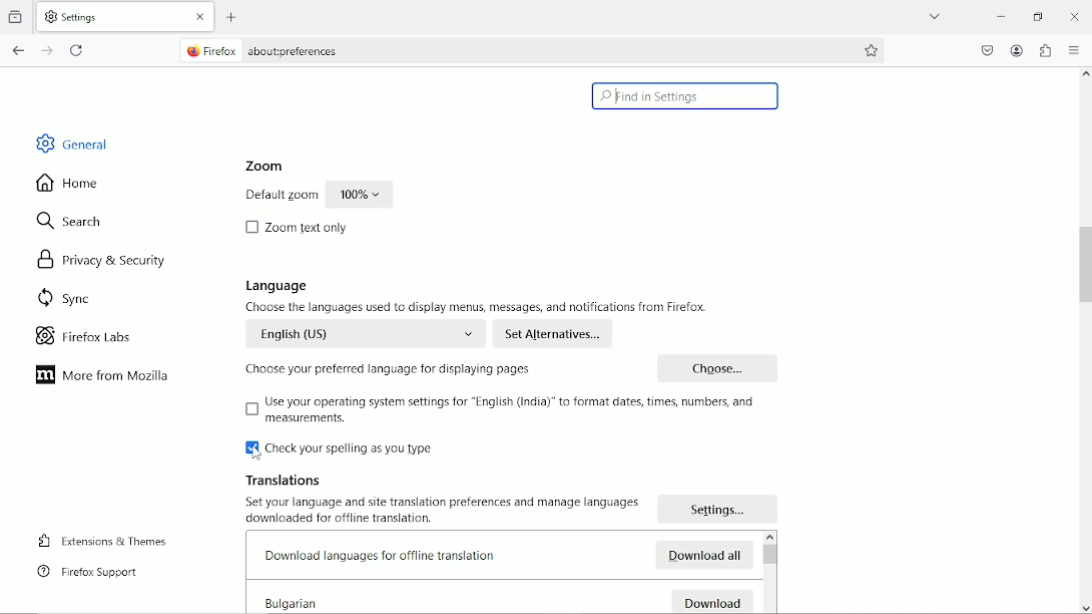  Describe the element at coordinates (503, 309) in the screenshot. I see `Choose the languages used to display menus, messages and notifications from  firefox.` at that location.